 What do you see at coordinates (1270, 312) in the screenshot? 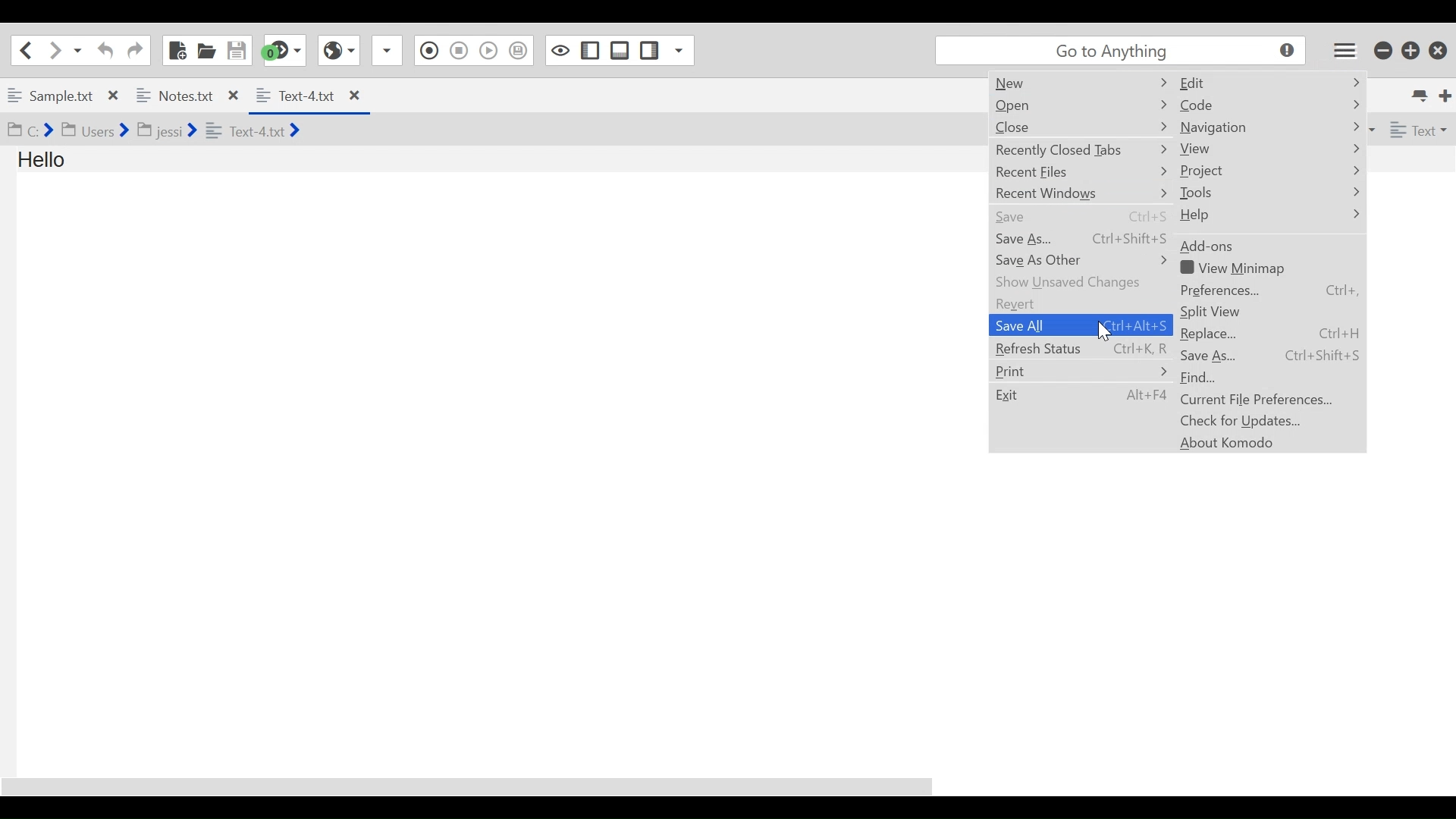
I see `Split View` at bounding box center [1270, 312].